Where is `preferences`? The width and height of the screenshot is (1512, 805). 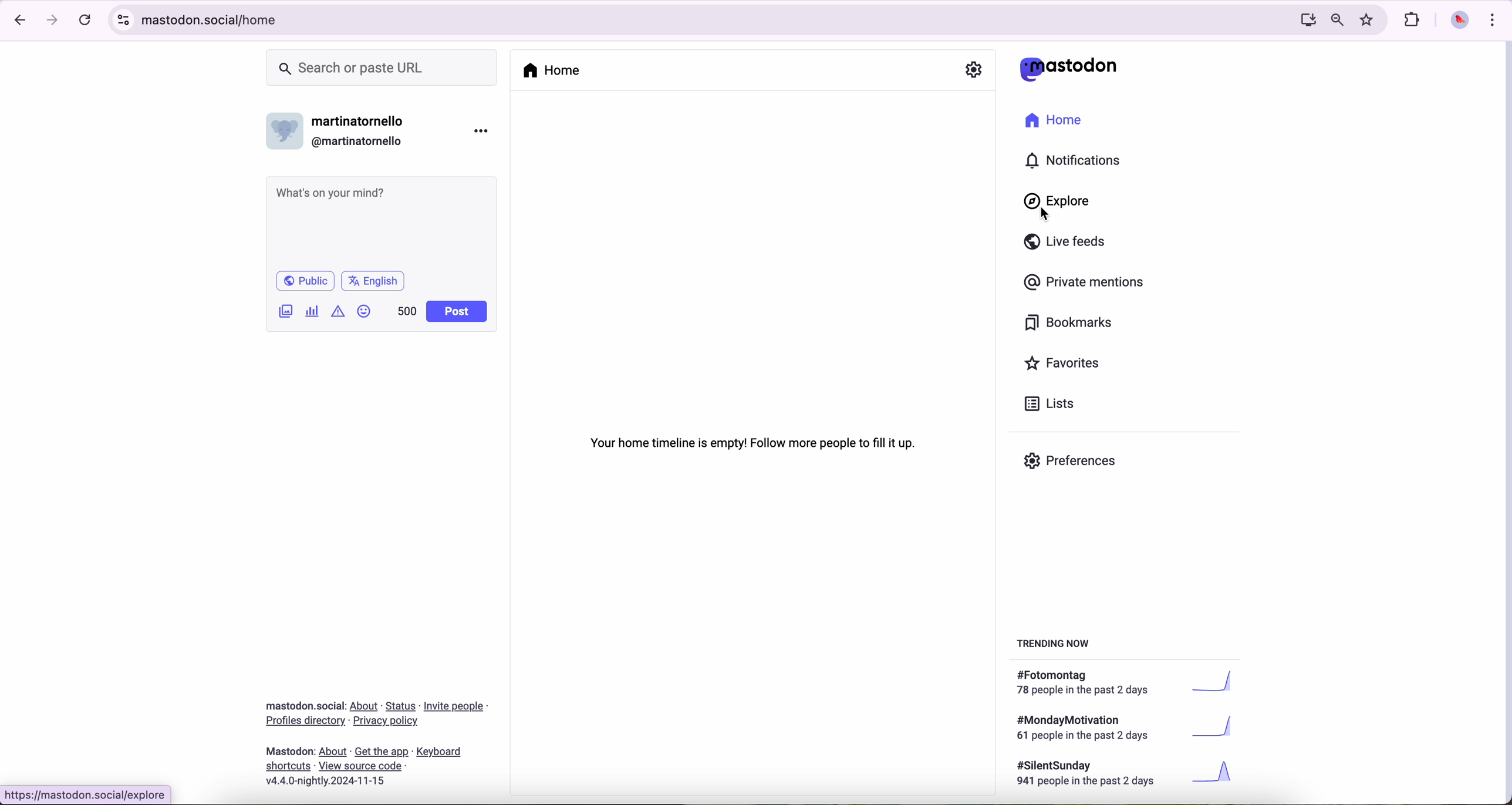 preferences is located at coordinates (1079, 465).